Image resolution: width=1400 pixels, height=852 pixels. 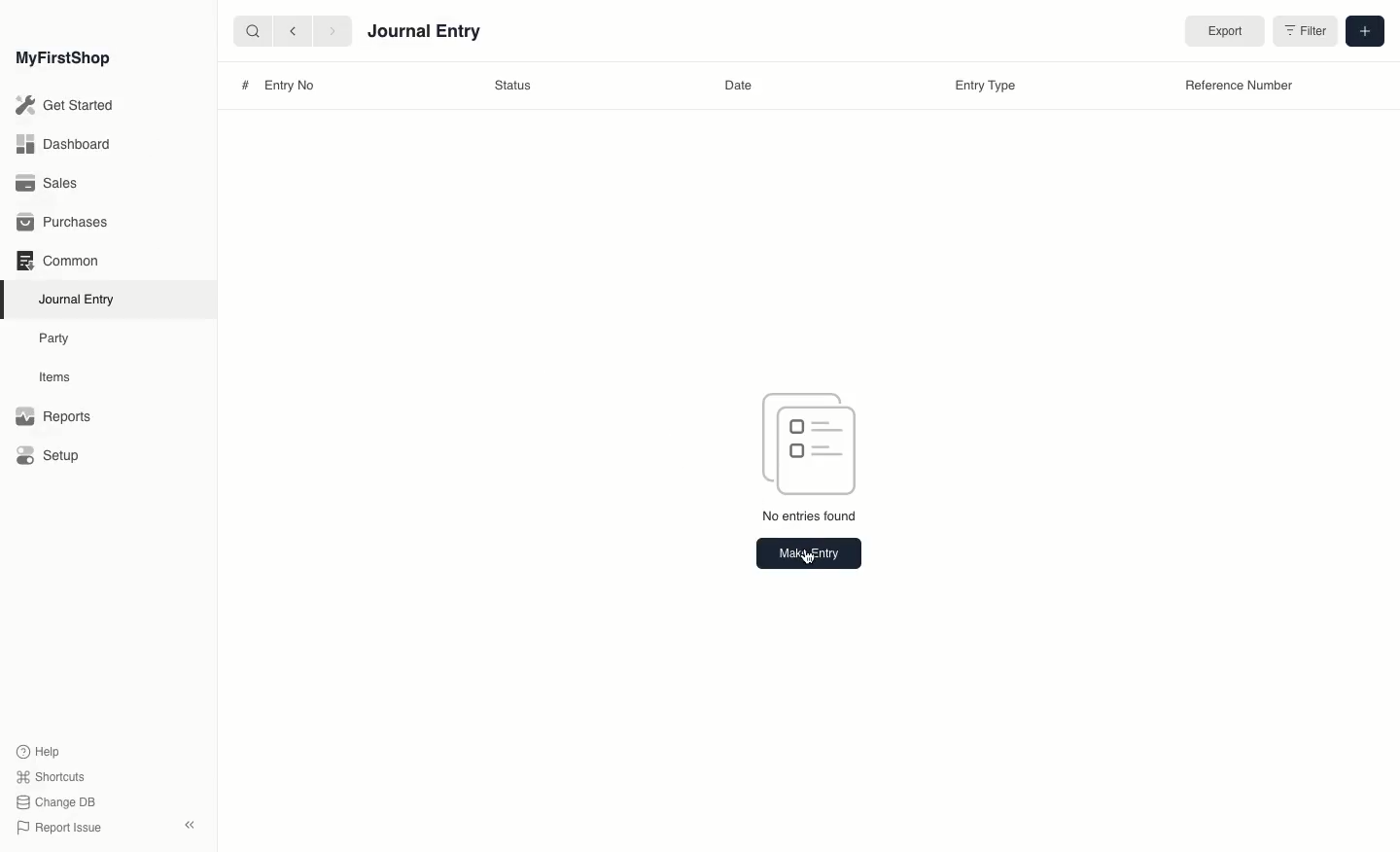 What do you see at coordinates (48, 775) in the screenshot?
I see `Shortcuts` at bounding box center [48, 775].